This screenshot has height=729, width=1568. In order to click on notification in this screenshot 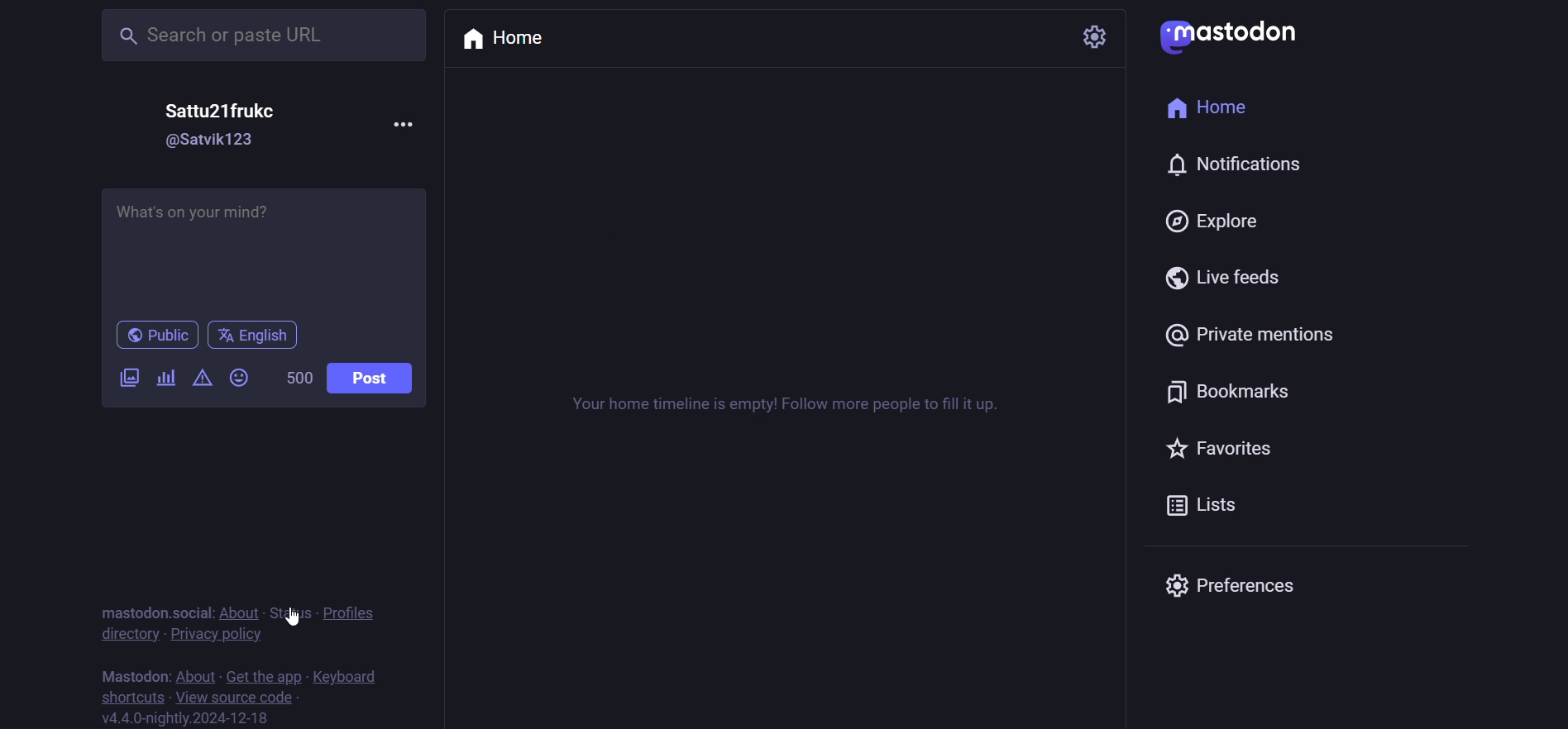, I will do `click(1233, 163)`.